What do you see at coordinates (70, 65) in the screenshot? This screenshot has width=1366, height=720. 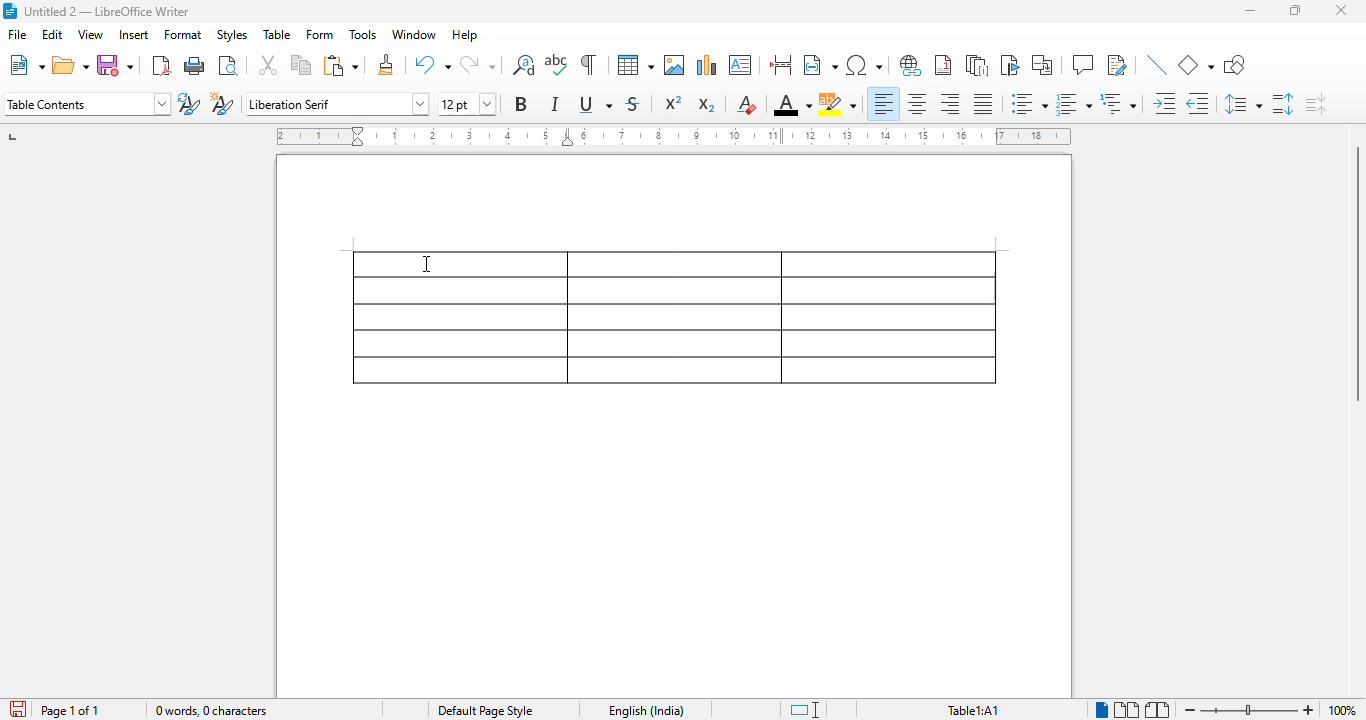 I see `open` at bounding box center [70, 65].